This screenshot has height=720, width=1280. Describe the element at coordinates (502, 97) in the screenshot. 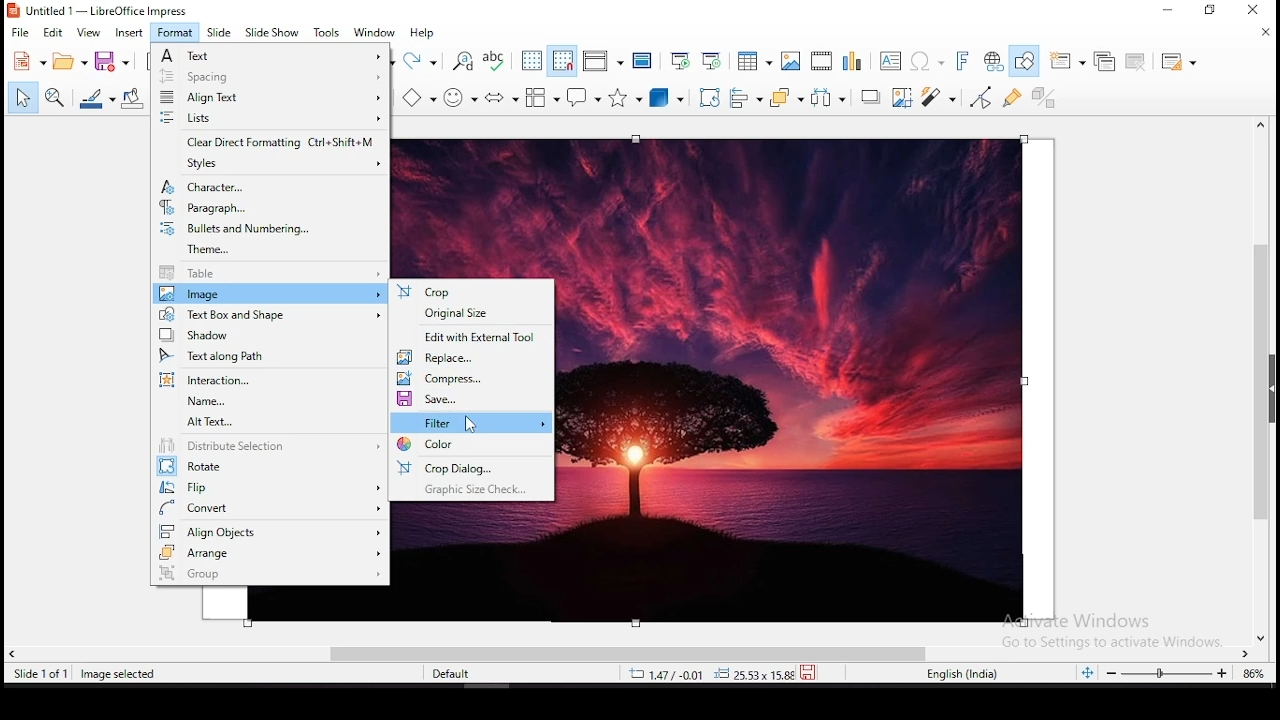

I see `block arrows` at that location.